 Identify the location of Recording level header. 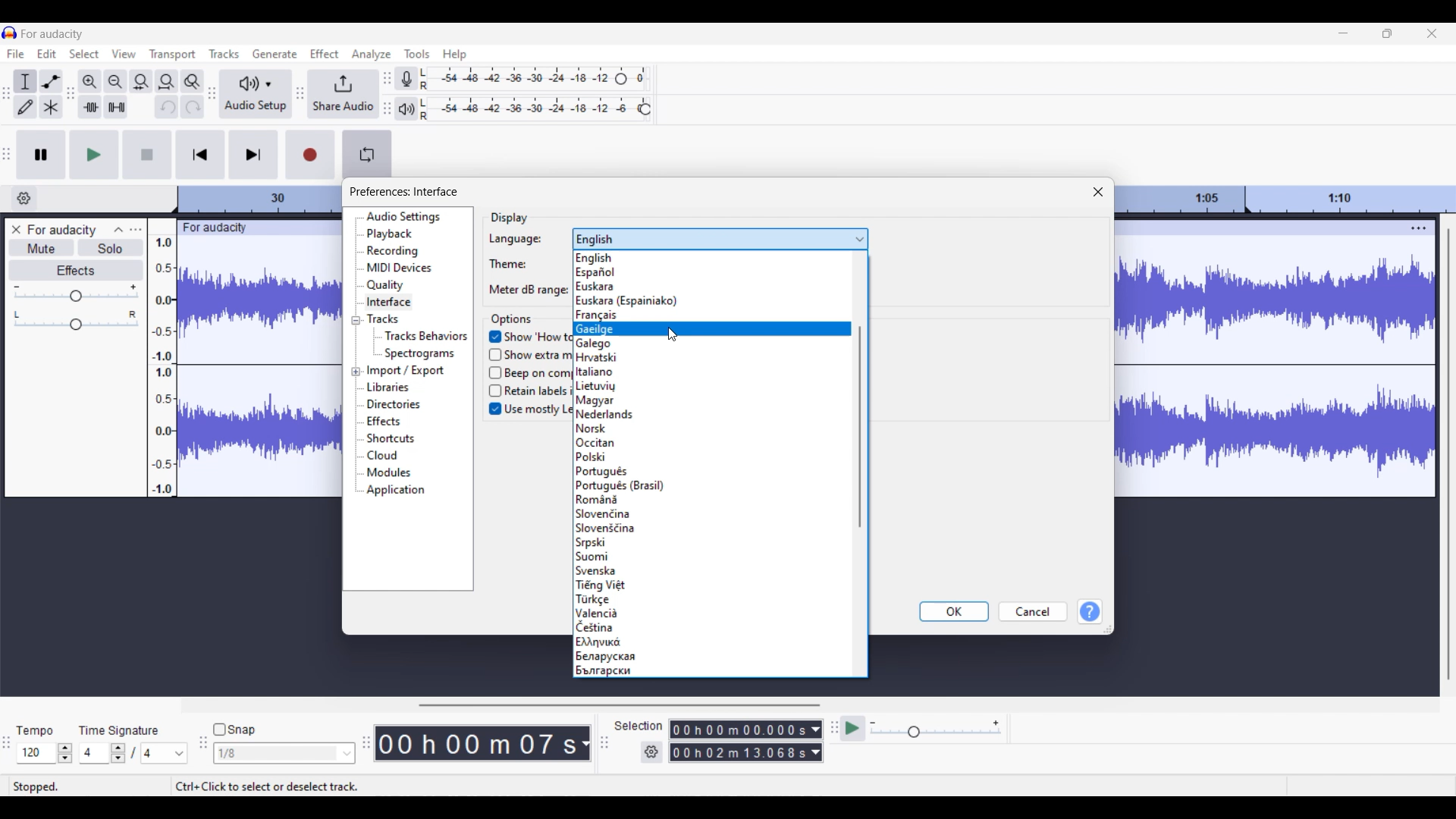
(621, 79).